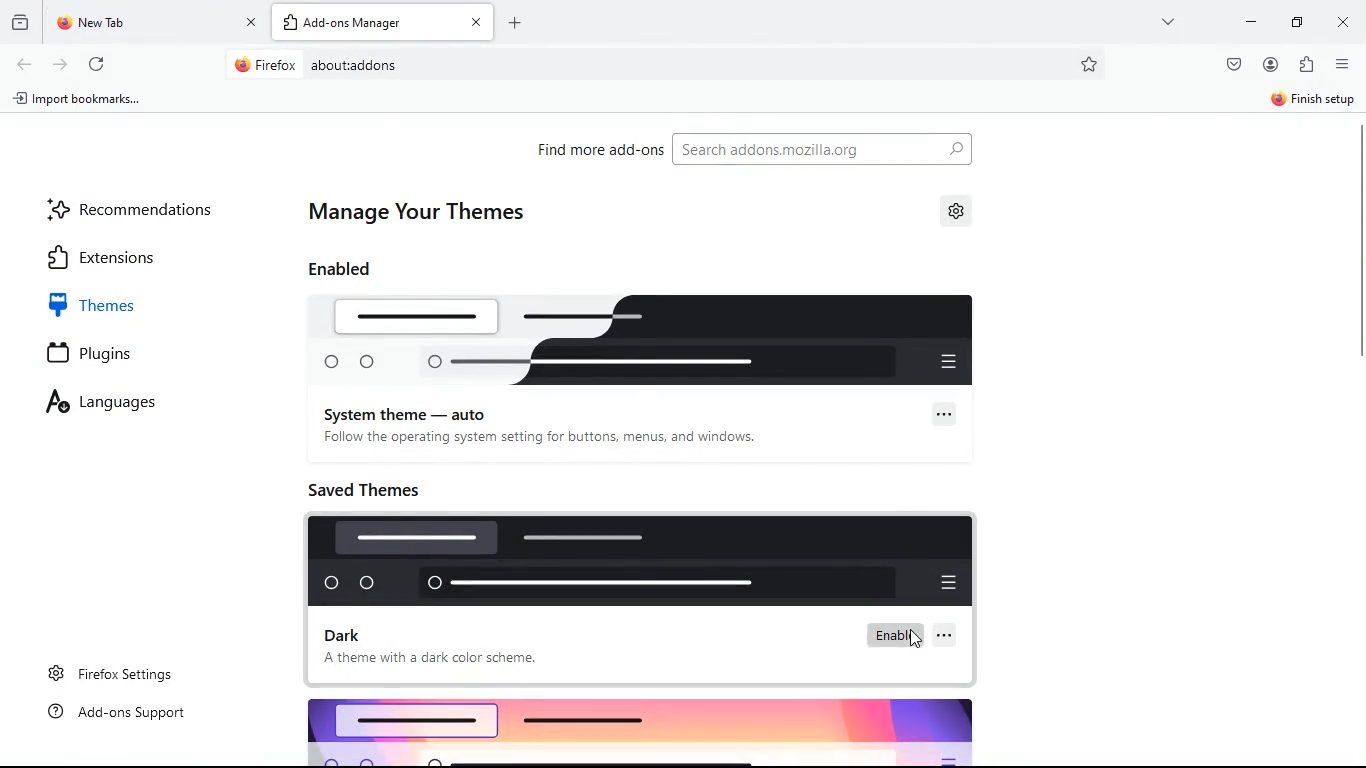 Image resolution: width=1366 pixels, height=768 pixels. I want to click on languages, so click(128, 400).